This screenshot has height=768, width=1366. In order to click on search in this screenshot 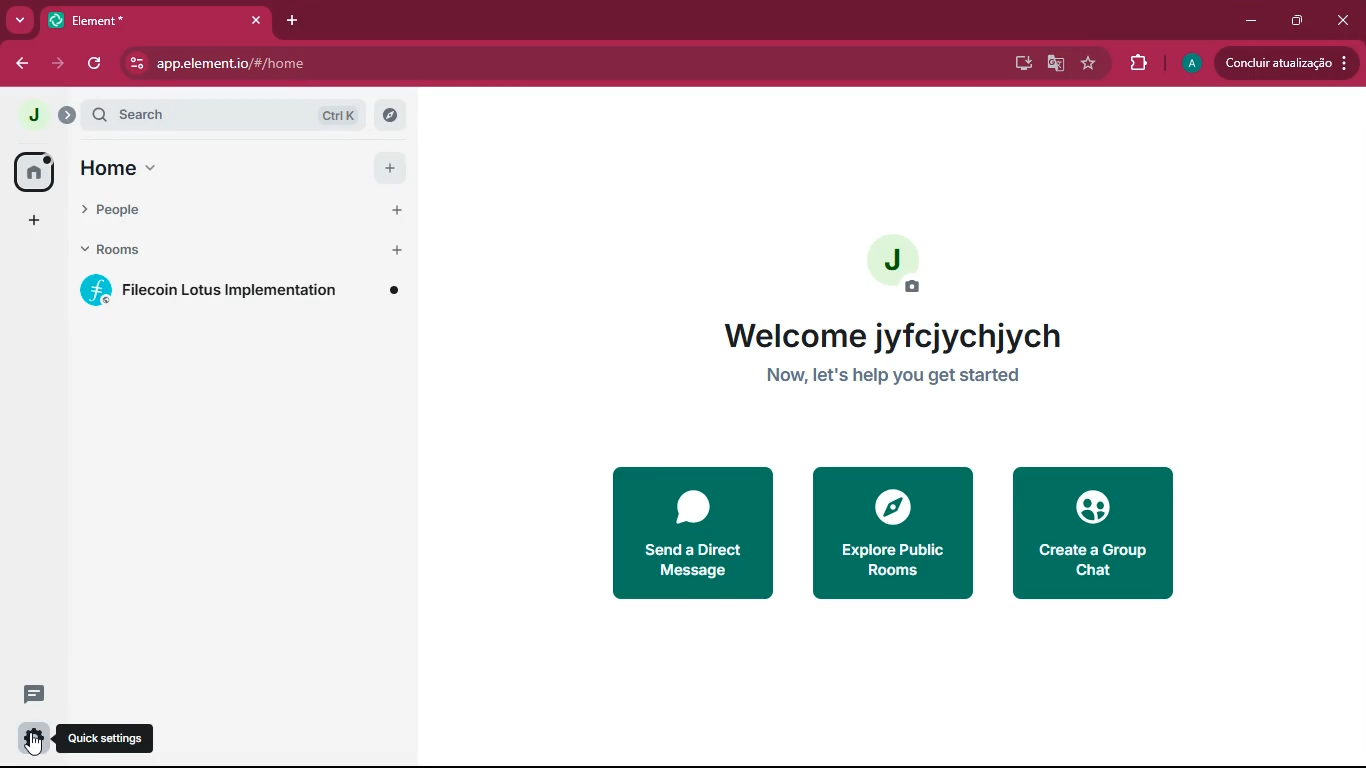, I will do `click(233, 115)`.